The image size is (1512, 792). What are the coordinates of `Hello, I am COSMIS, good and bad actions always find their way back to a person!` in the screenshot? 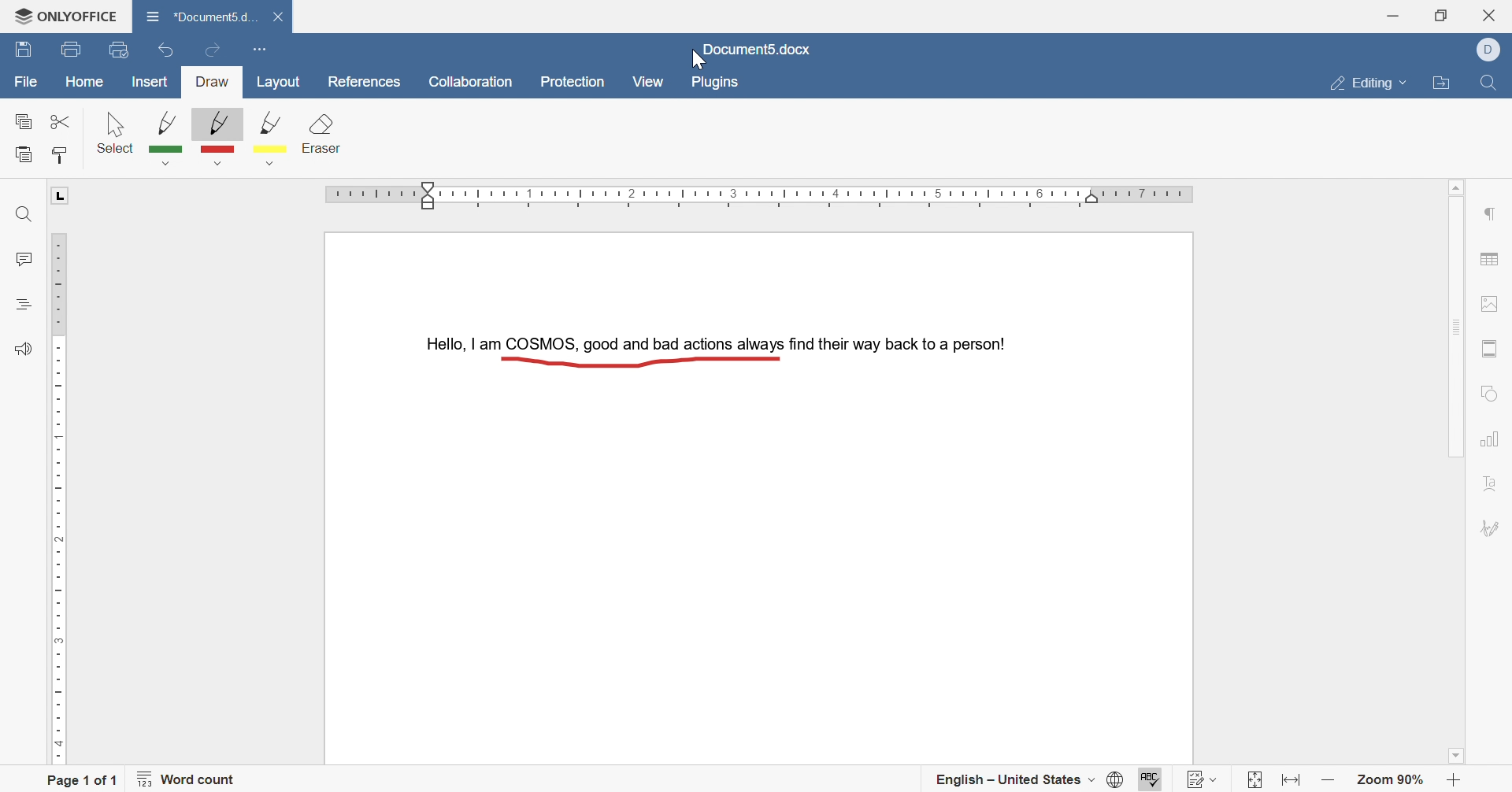 It's located at (712, 341).